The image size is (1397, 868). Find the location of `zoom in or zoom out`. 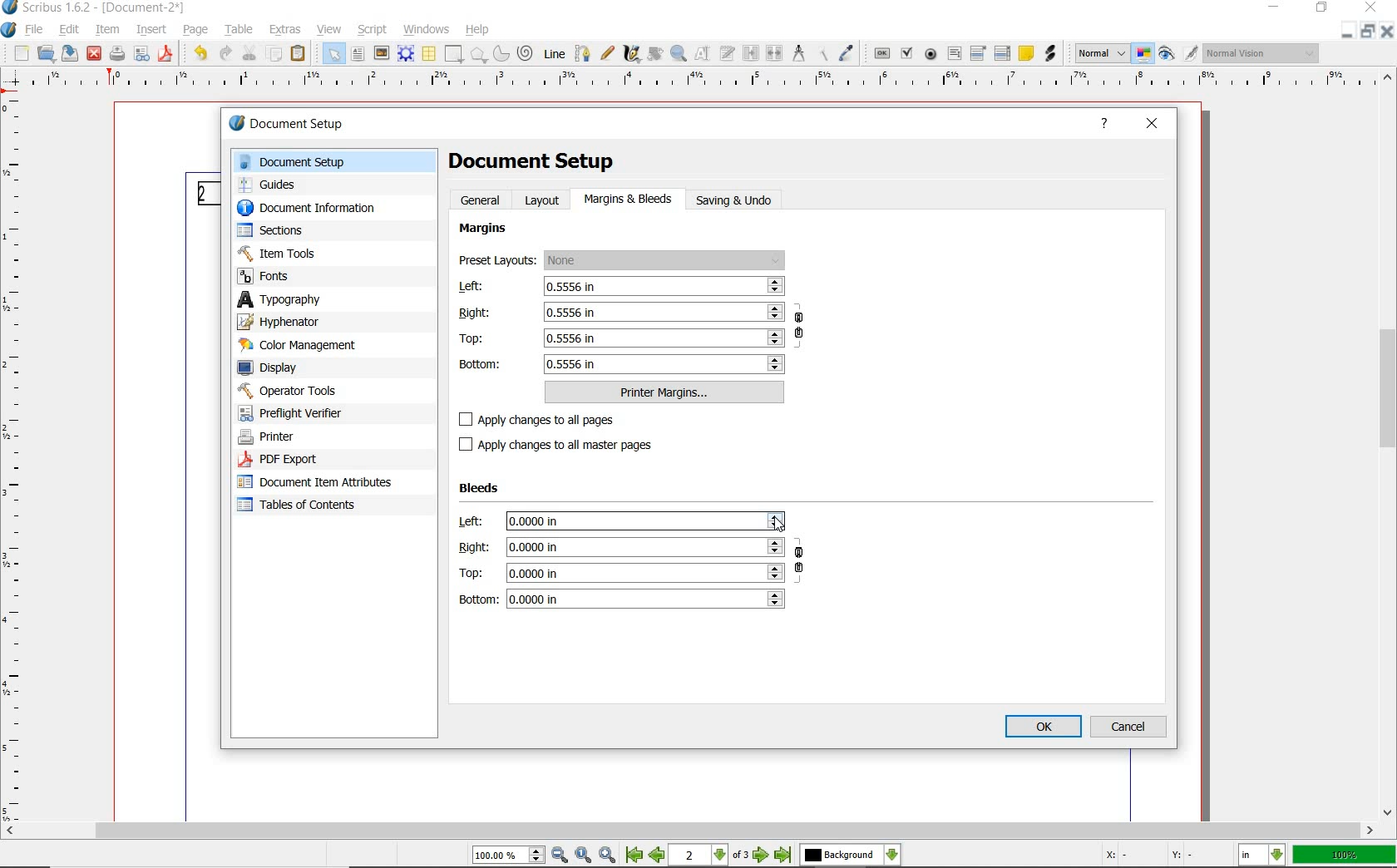

zoom in or zoom out is located at coordinates (679, 55).